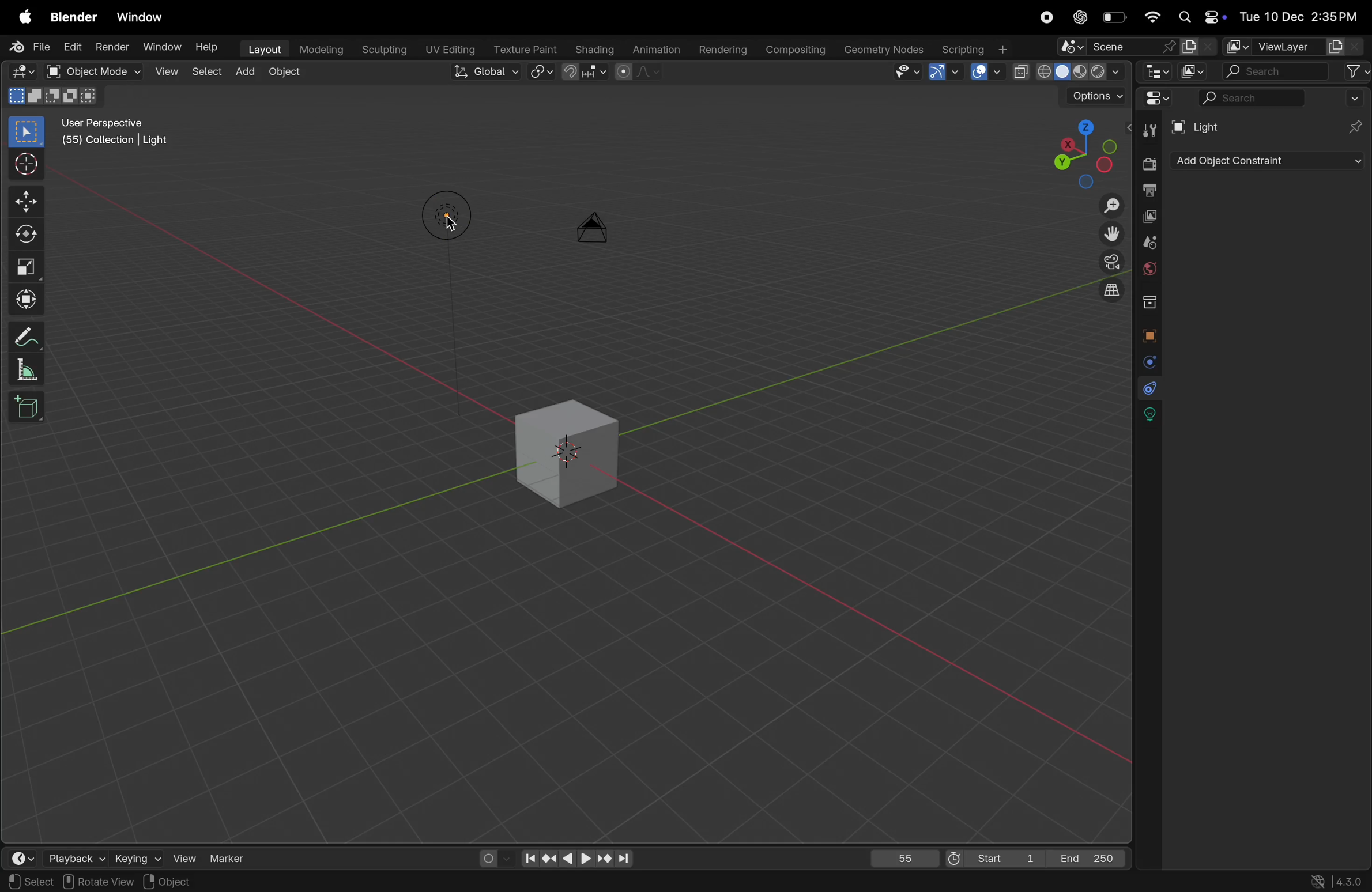 The image size is (1372, 892). What do you see at coordinates (656, 49) in the screenshot?
I see `animation` at bounding box center [656, 49].